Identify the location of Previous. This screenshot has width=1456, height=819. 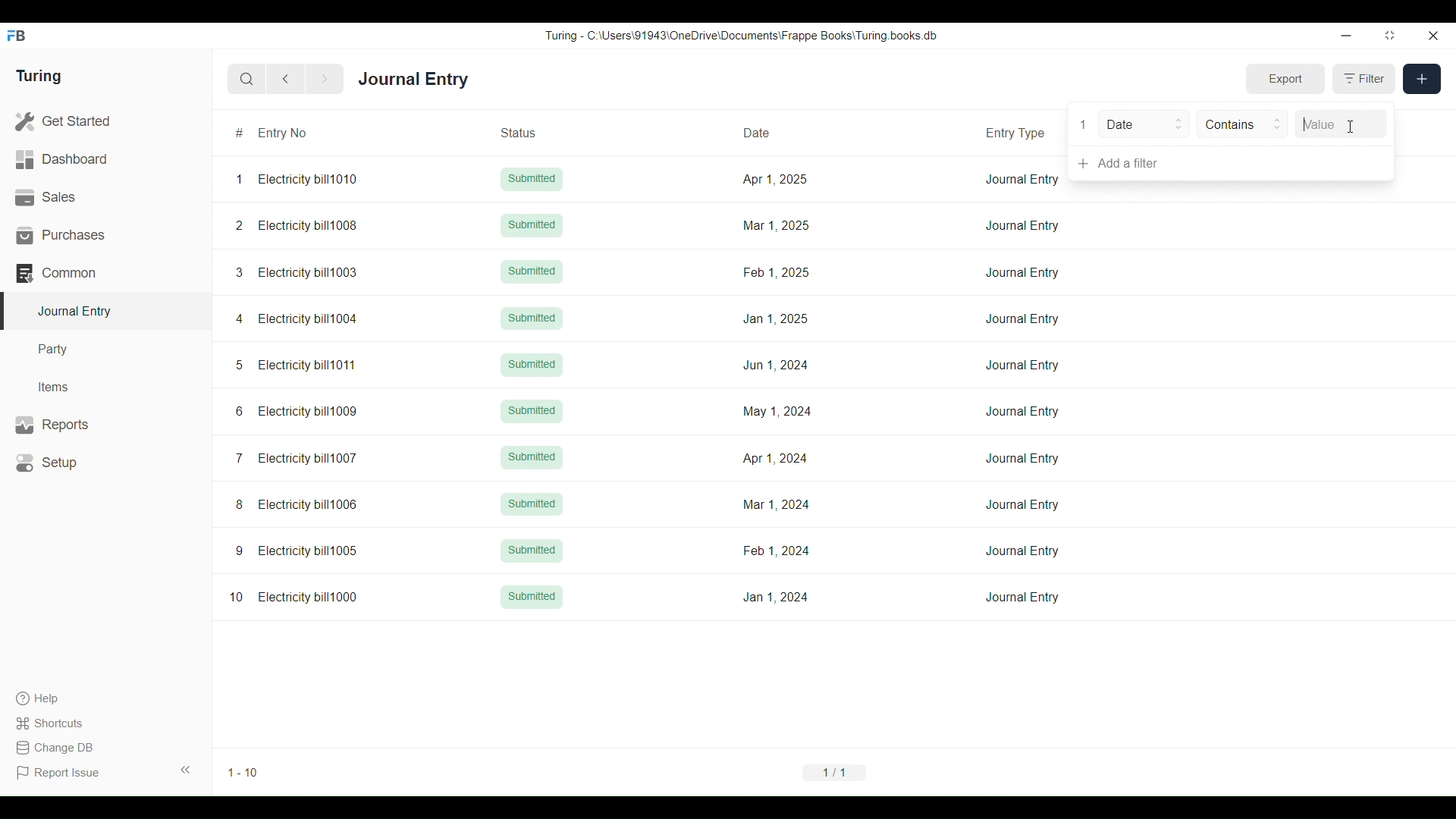
(286, 79).